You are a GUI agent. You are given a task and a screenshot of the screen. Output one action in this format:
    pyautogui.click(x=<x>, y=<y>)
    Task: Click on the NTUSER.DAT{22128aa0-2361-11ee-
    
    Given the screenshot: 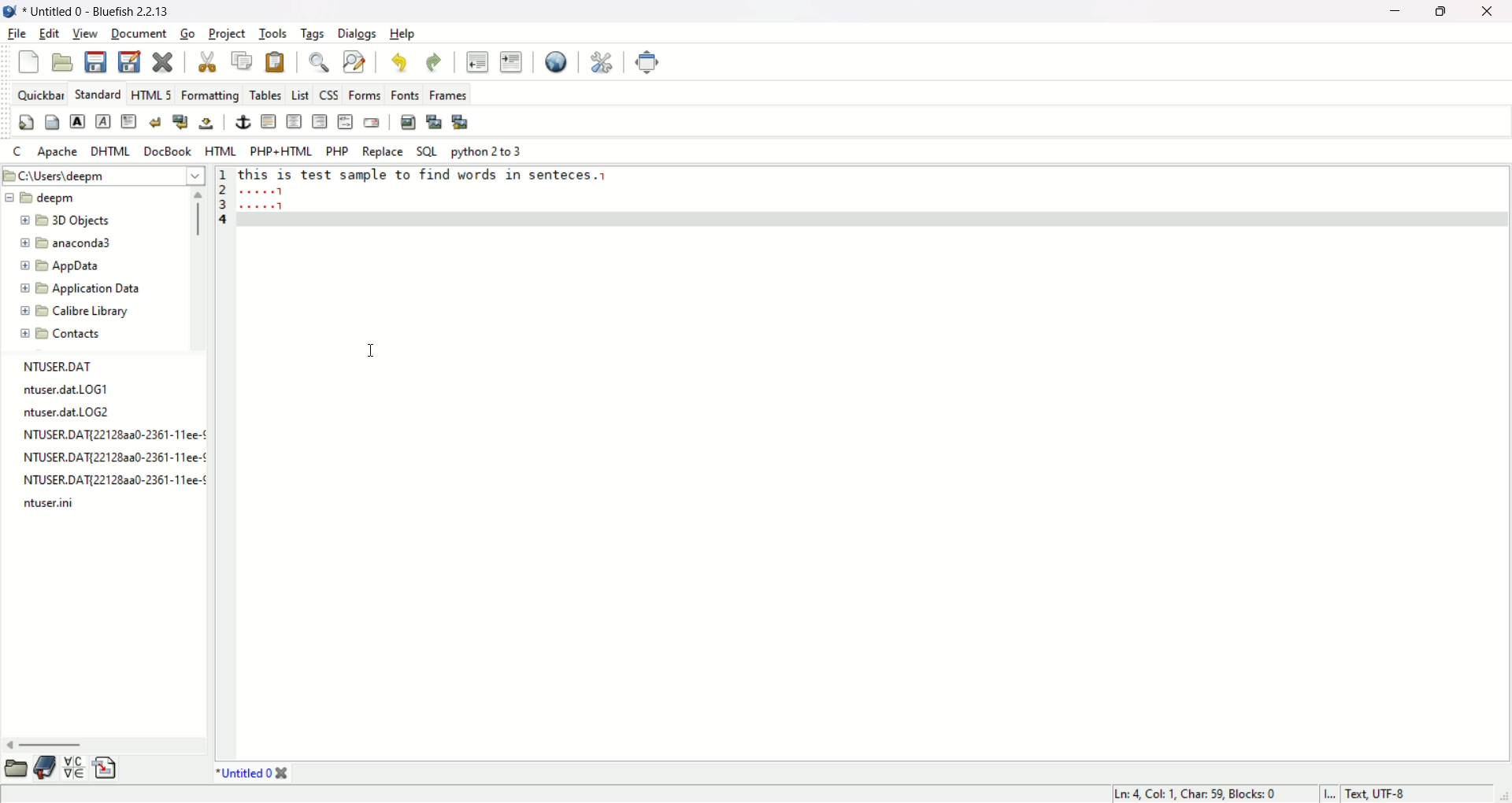 What is the action you would take?
    pyautogui.click(x=113, y=457)
    